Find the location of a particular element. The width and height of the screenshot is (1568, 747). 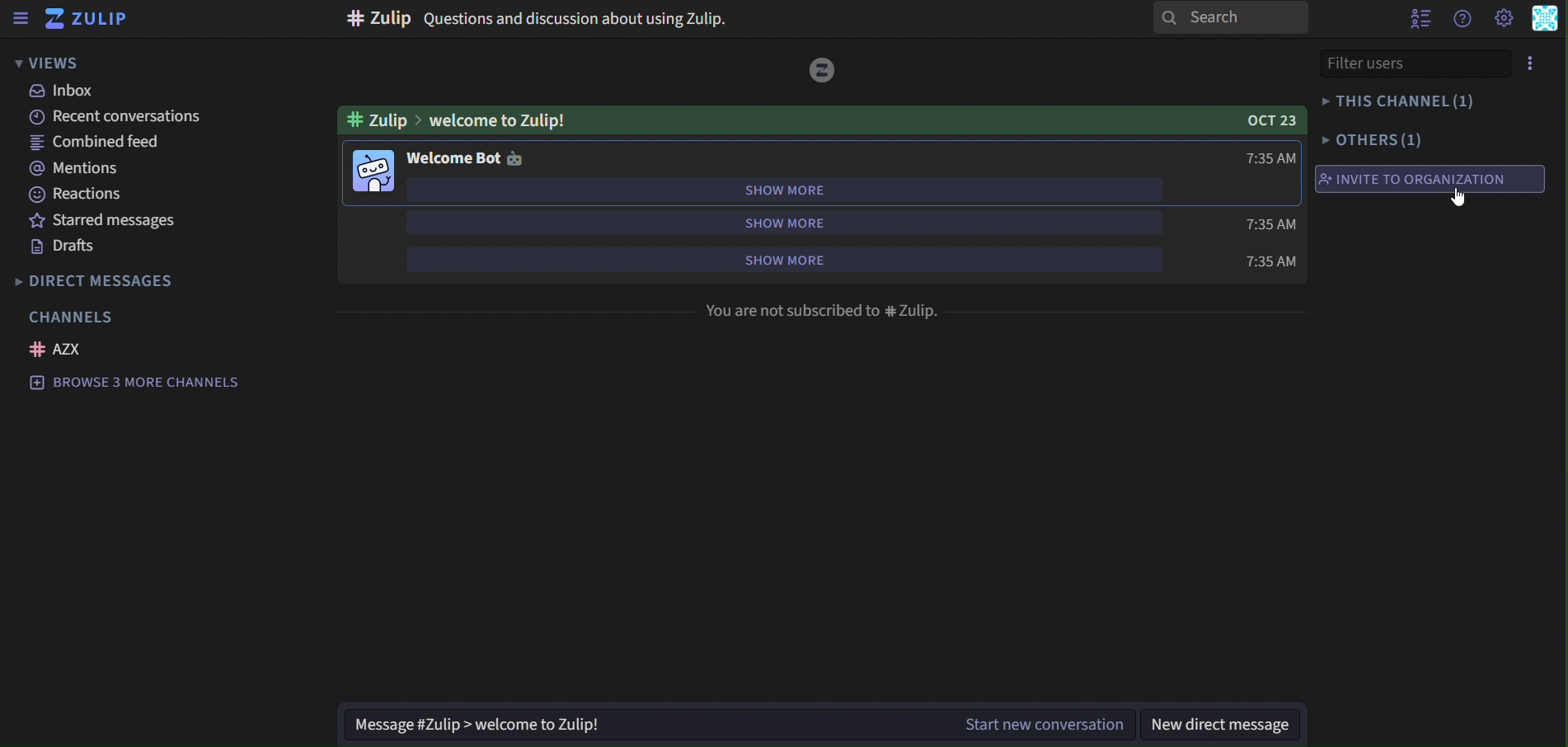

inbox is located at coordinates (66, 92).